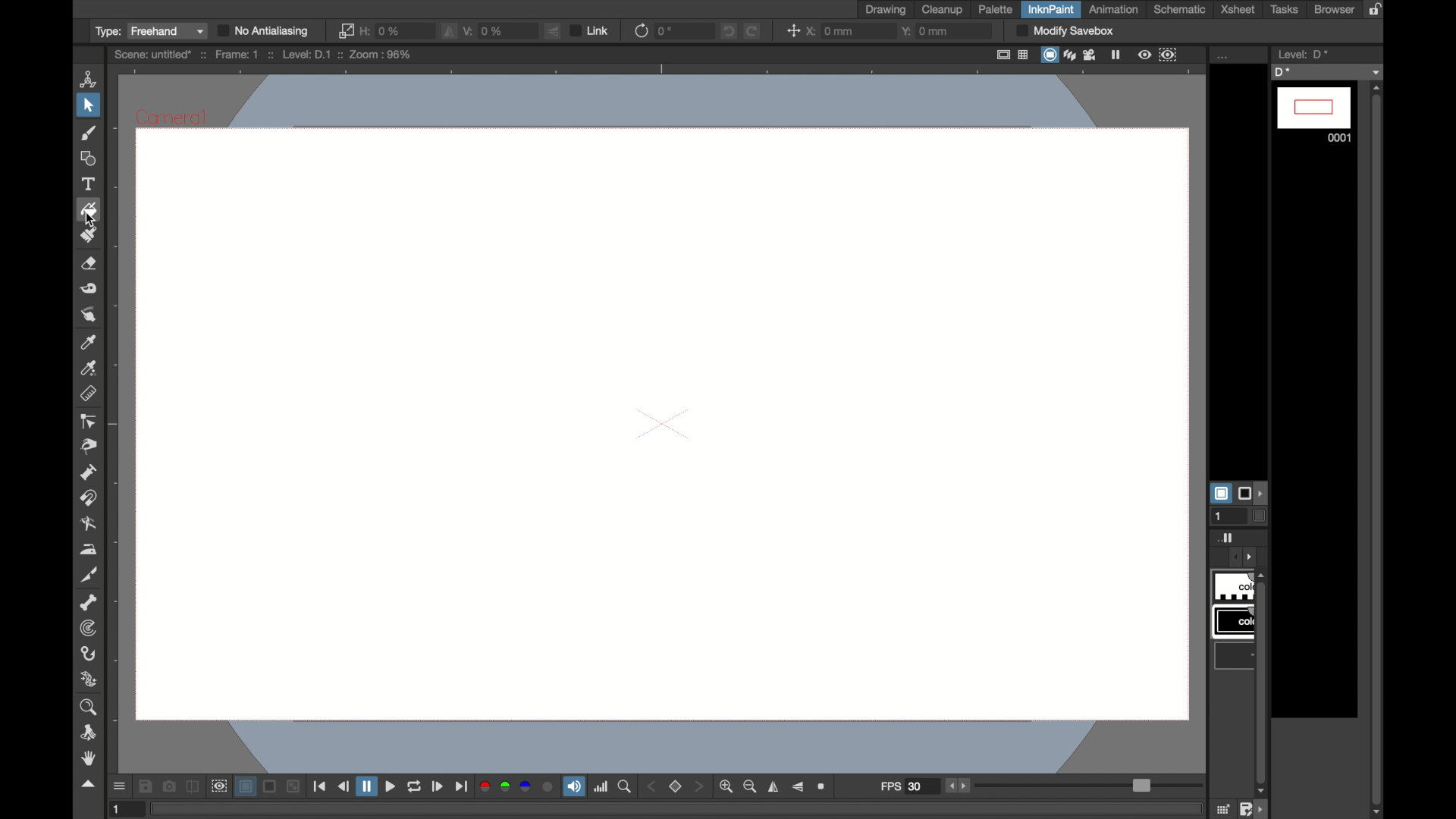 The image size is (1456, 819). I want to click on palette, so click(996, 10).